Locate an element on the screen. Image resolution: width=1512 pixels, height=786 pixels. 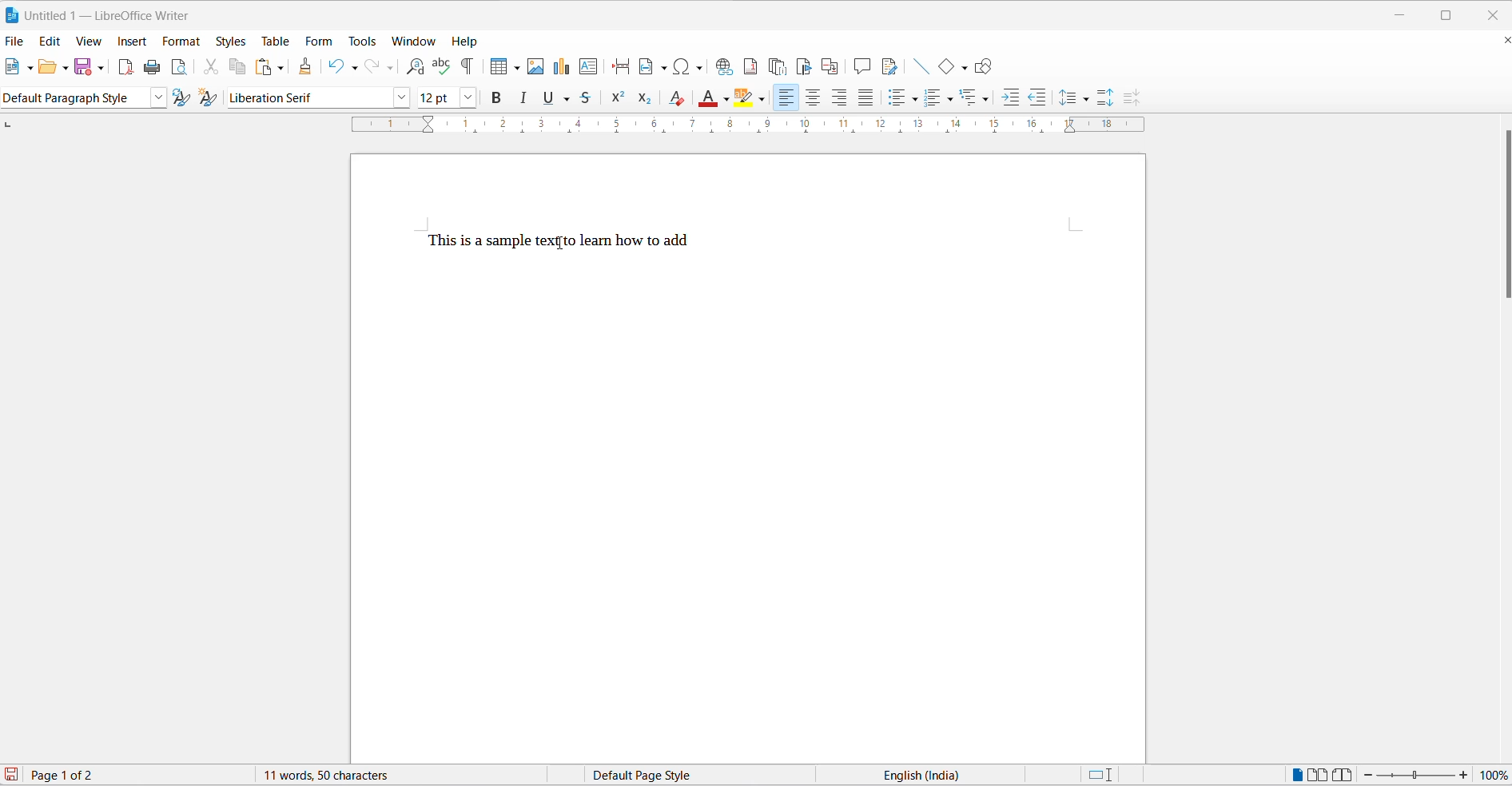
decrease zoom is located at coordinates (1367, 775).